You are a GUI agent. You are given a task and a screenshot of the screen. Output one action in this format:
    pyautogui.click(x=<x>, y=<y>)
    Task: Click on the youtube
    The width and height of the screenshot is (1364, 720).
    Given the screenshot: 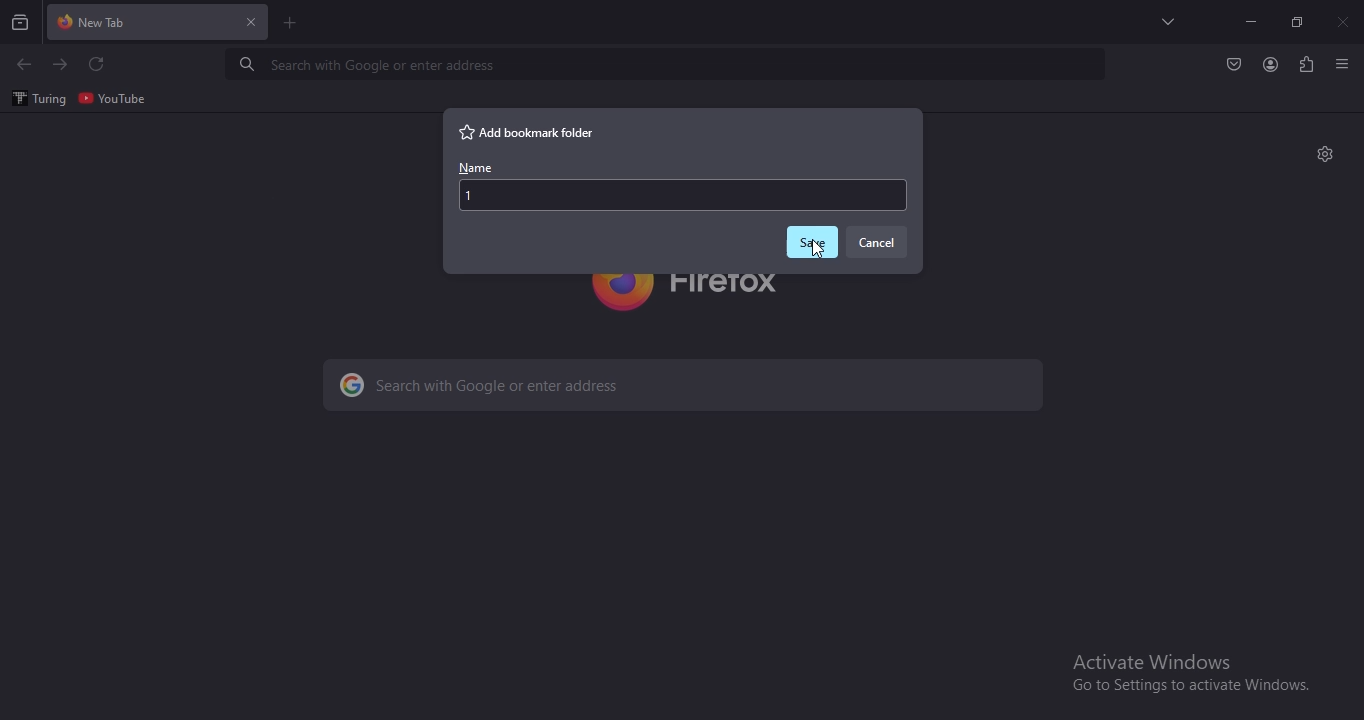 What is the action you would take?
    pyautogui.click(x=113, y=97)
    